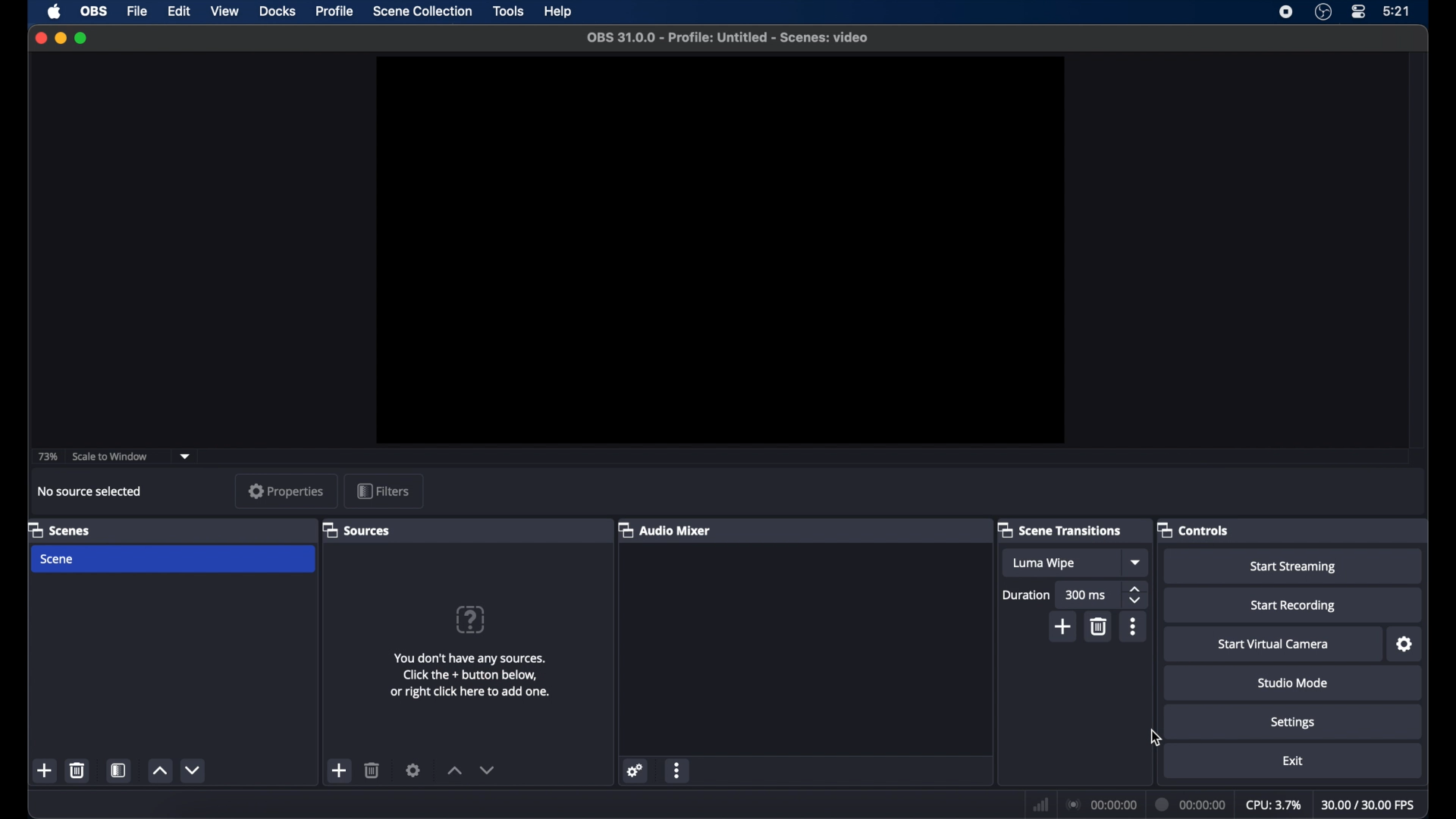 This screenshot has width=1456, height=819. What do you see at coordinates (1101, 805) in the screenshot?
I see `connection` at bounding box center [1101, 805].